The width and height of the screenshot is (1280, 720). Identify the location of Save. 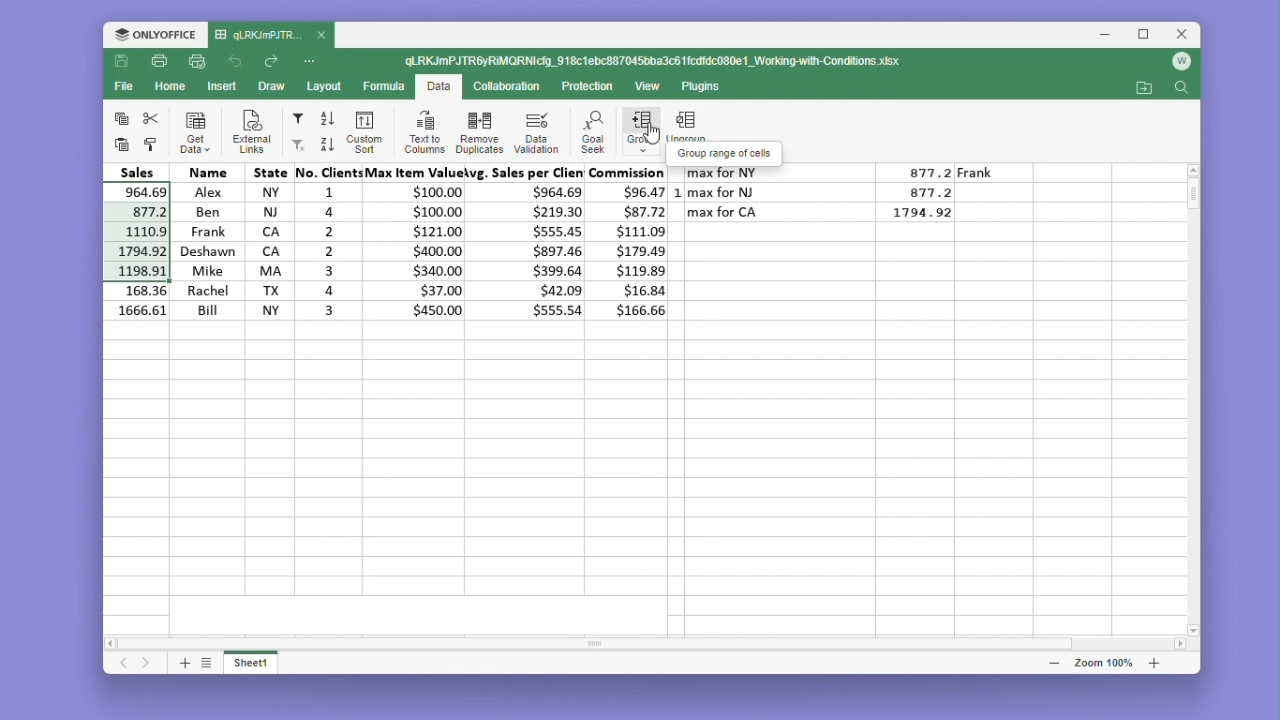
(122, 62).